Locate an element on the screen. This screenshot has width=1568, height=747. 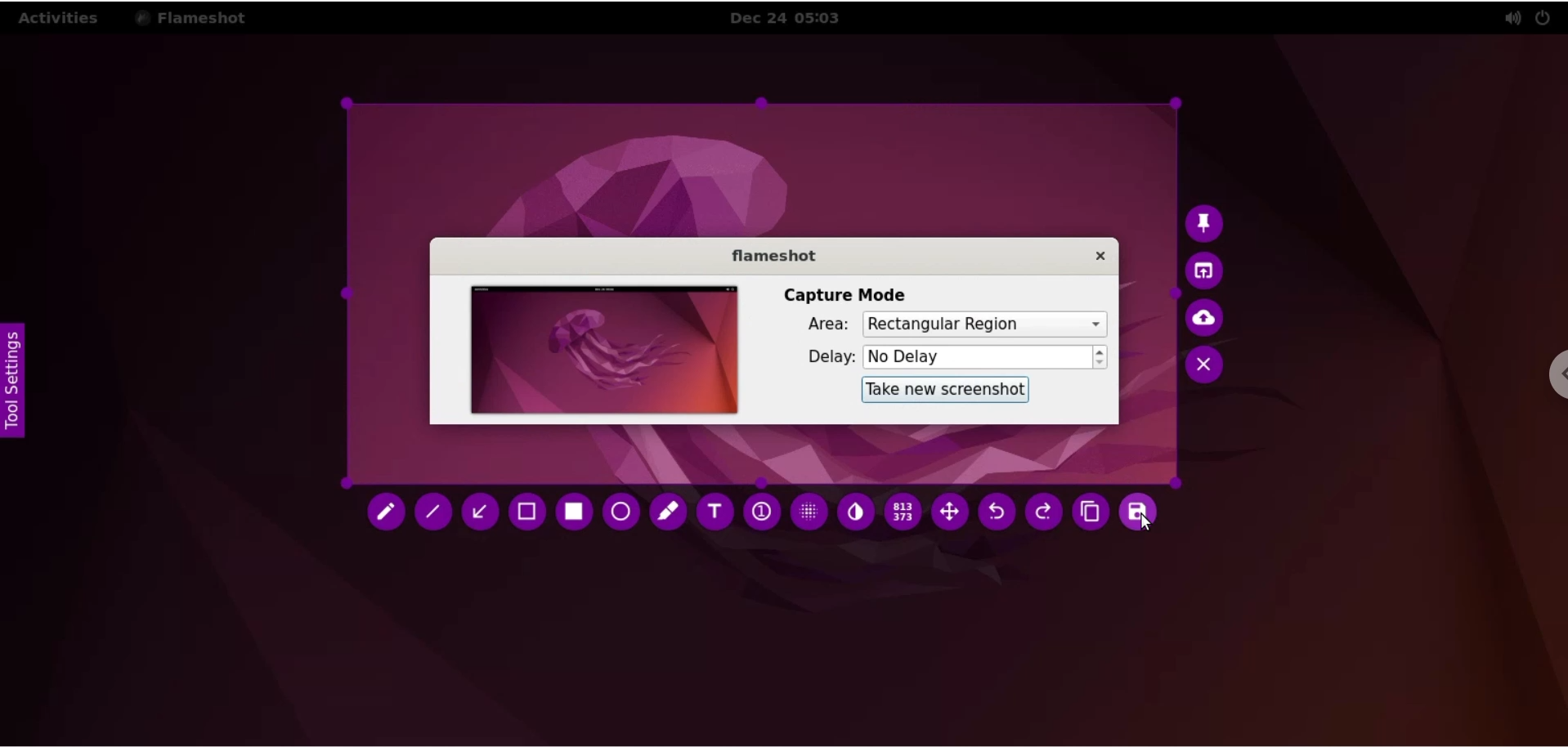
inverter is located at coordinates (860, 512).